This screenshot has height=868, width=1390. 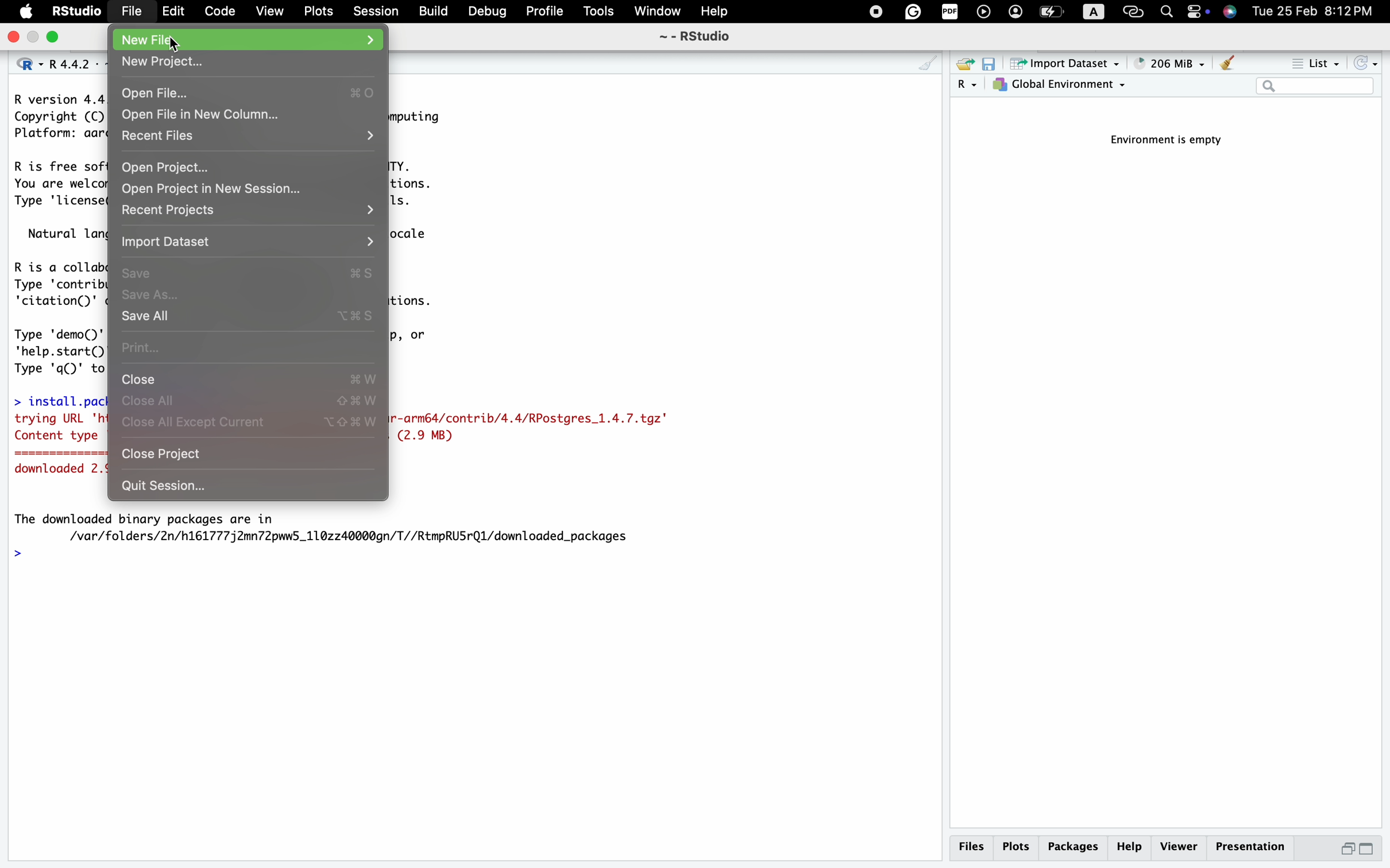 I want to click on Tue 25 Feb 8:12PM, so click(x=1320, y=13).